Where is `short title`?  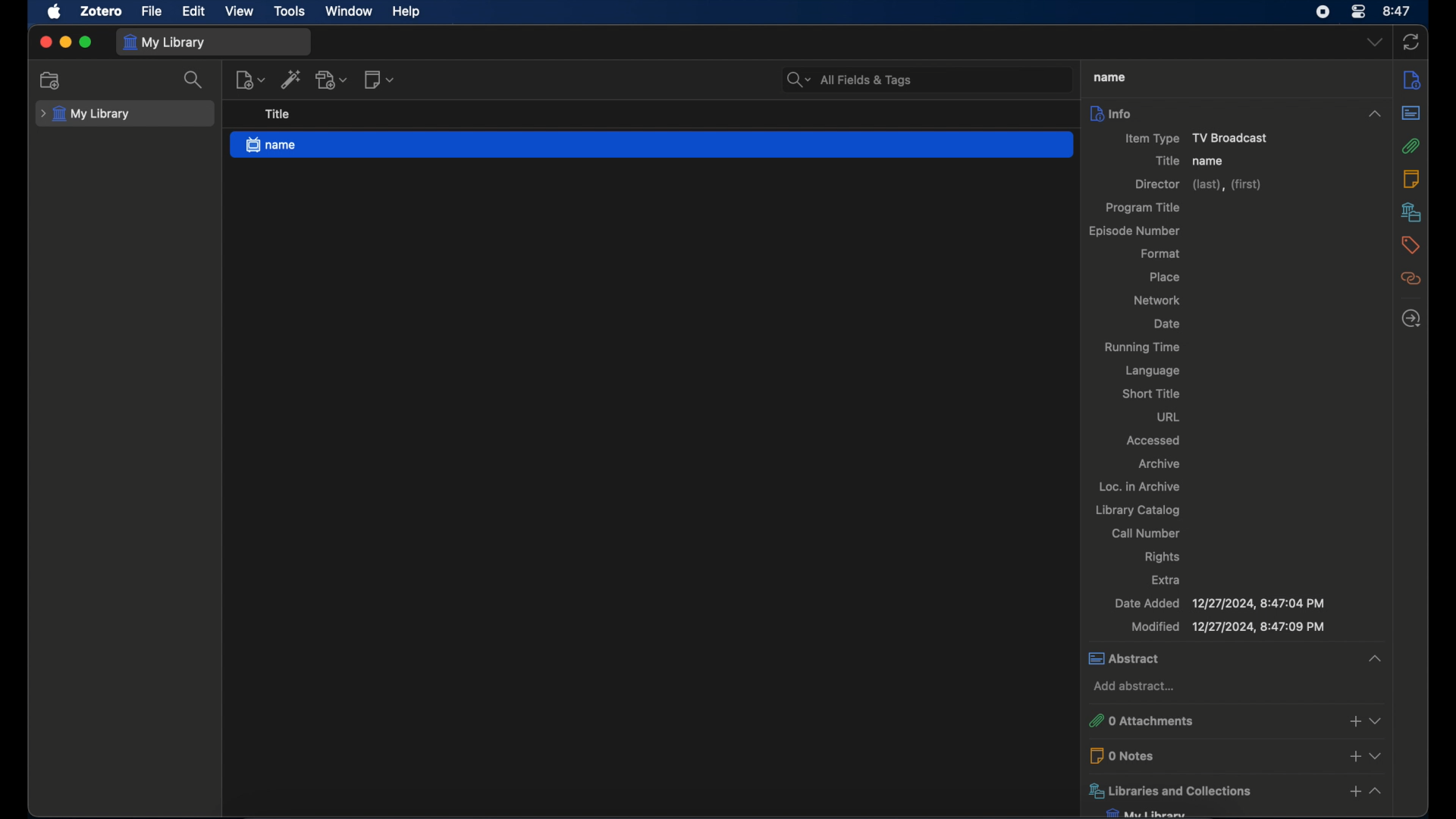 short title is located at coordinates (1152, 394).